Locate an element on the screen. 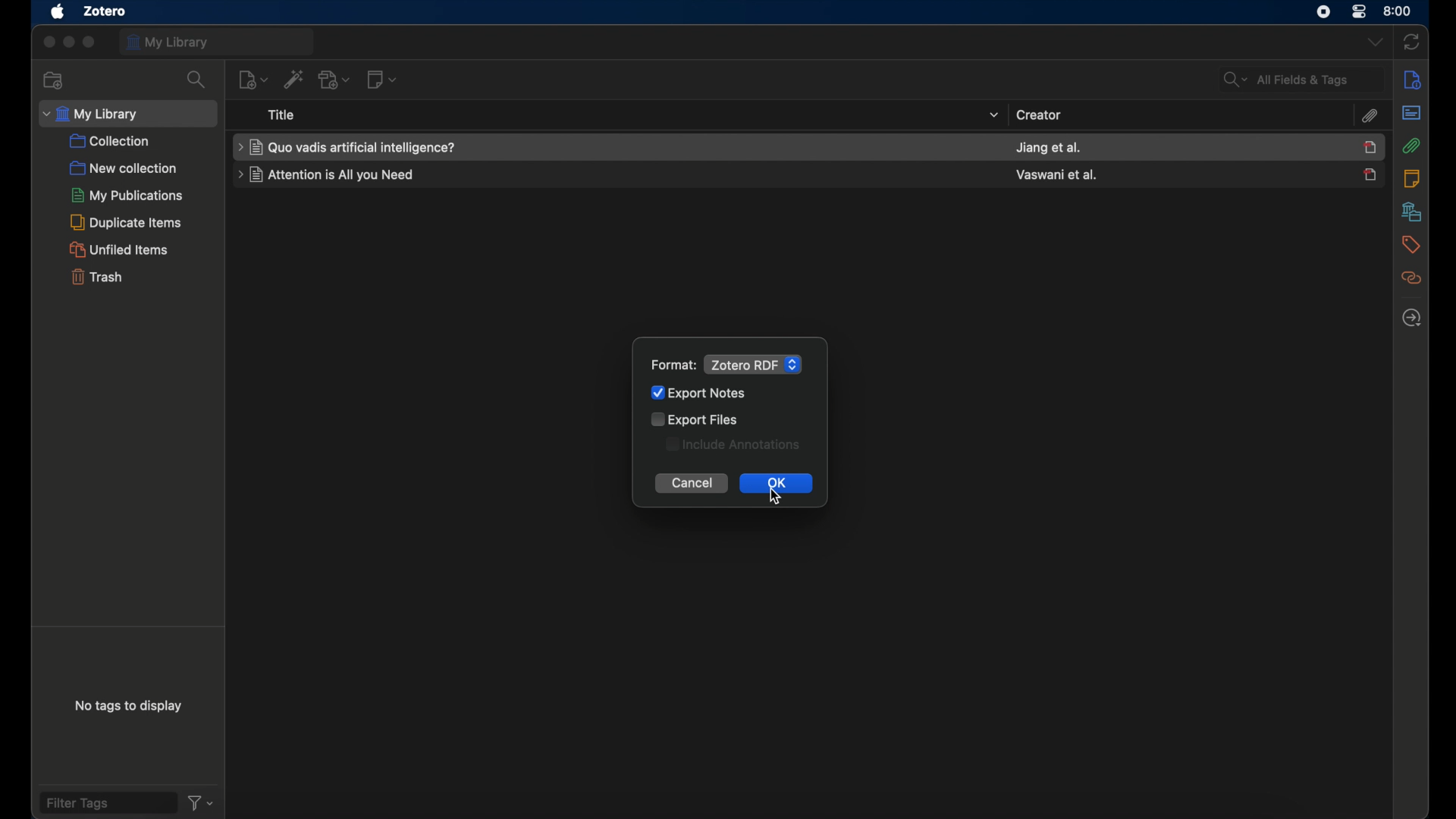  filter dropdown  is located at coordinates (202, 802).